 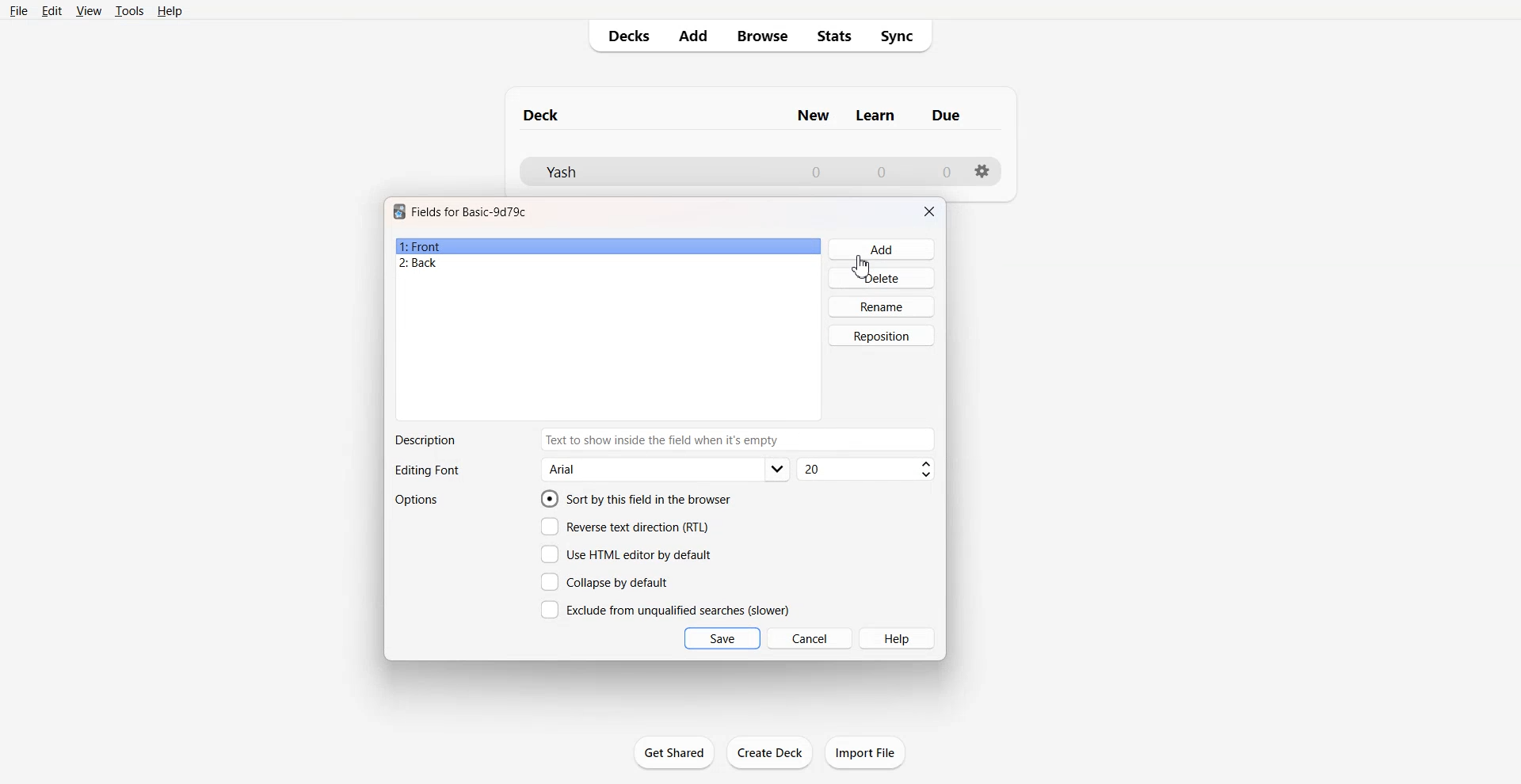 What do you see at coordinates (816, 172) in the screenshot?
I see `Number of New cards` at bounding box center [816, 172].